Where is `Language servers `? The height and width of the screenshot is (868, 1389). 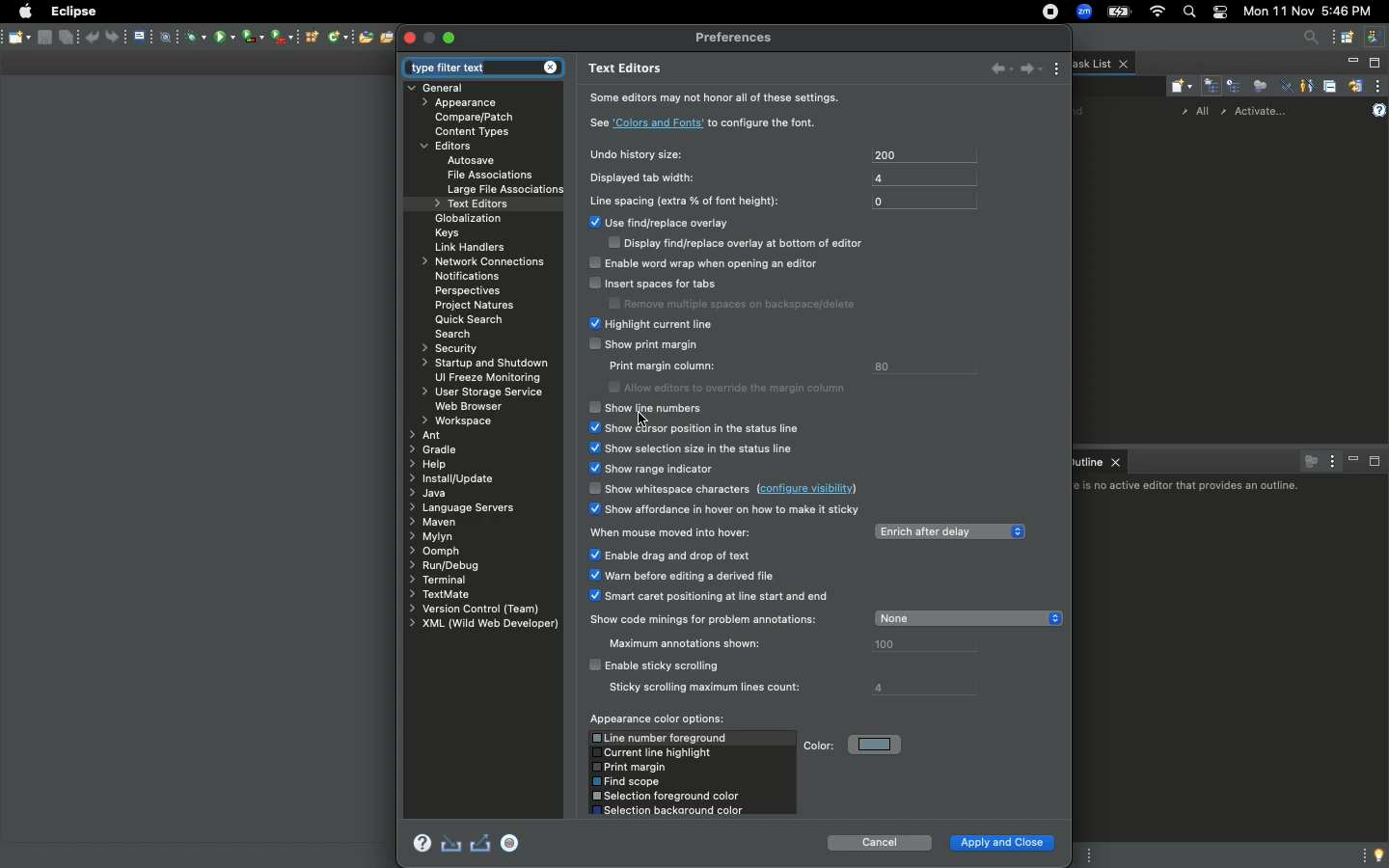 Language servers  is located at coordinates (464, 507).